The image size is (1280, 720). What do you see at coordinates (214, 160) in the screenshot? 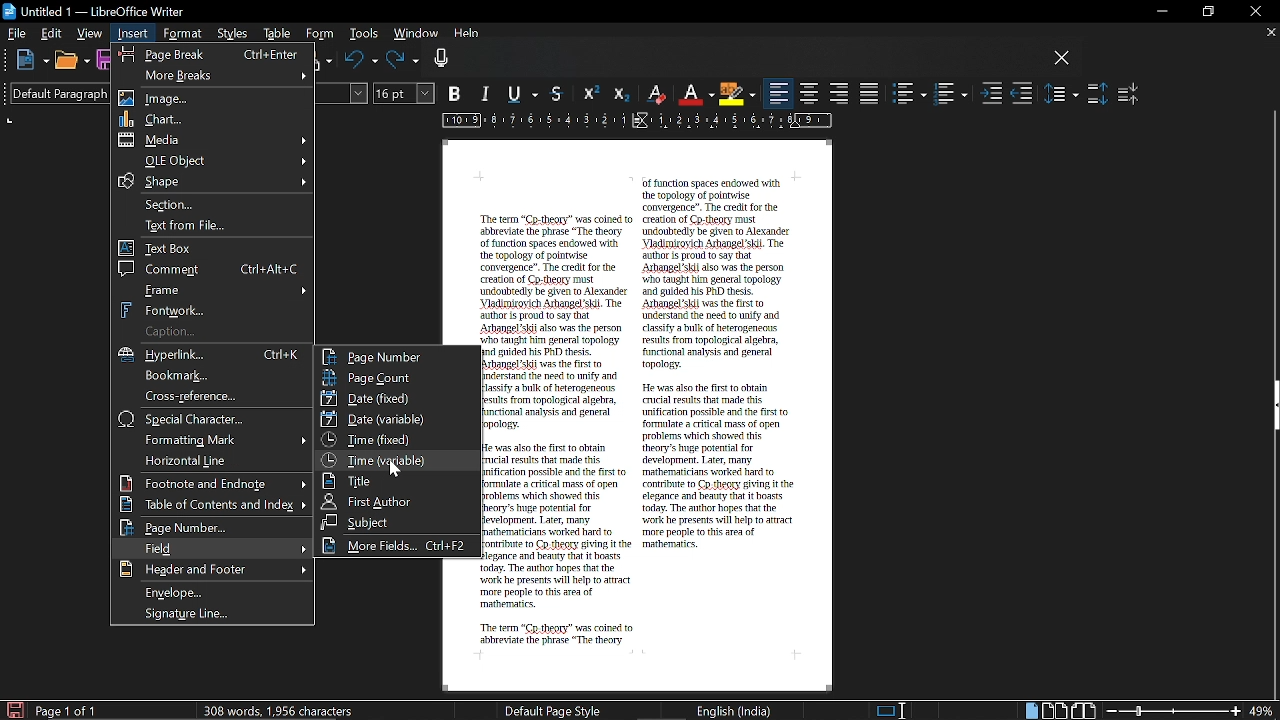
I see `OLE object` at bounding box center [214, 160].